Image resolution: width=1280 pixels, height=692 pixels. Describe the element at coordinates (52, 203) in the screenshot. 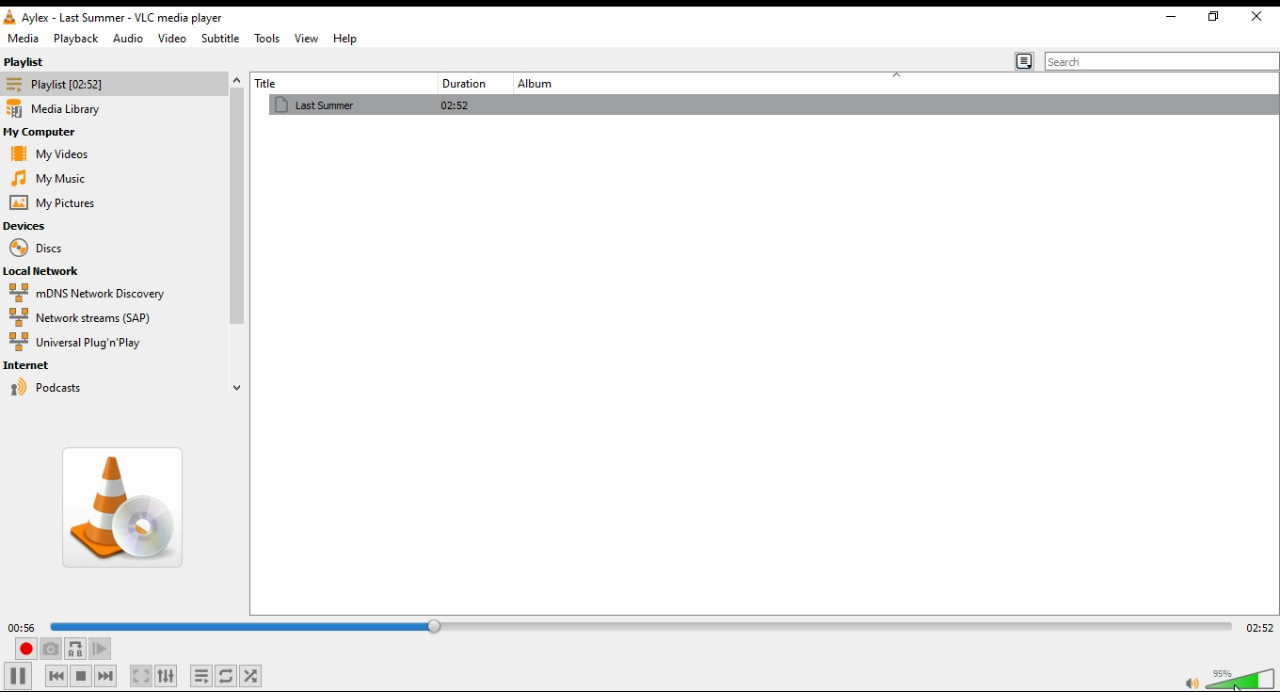

I see `my pictures` at that location.